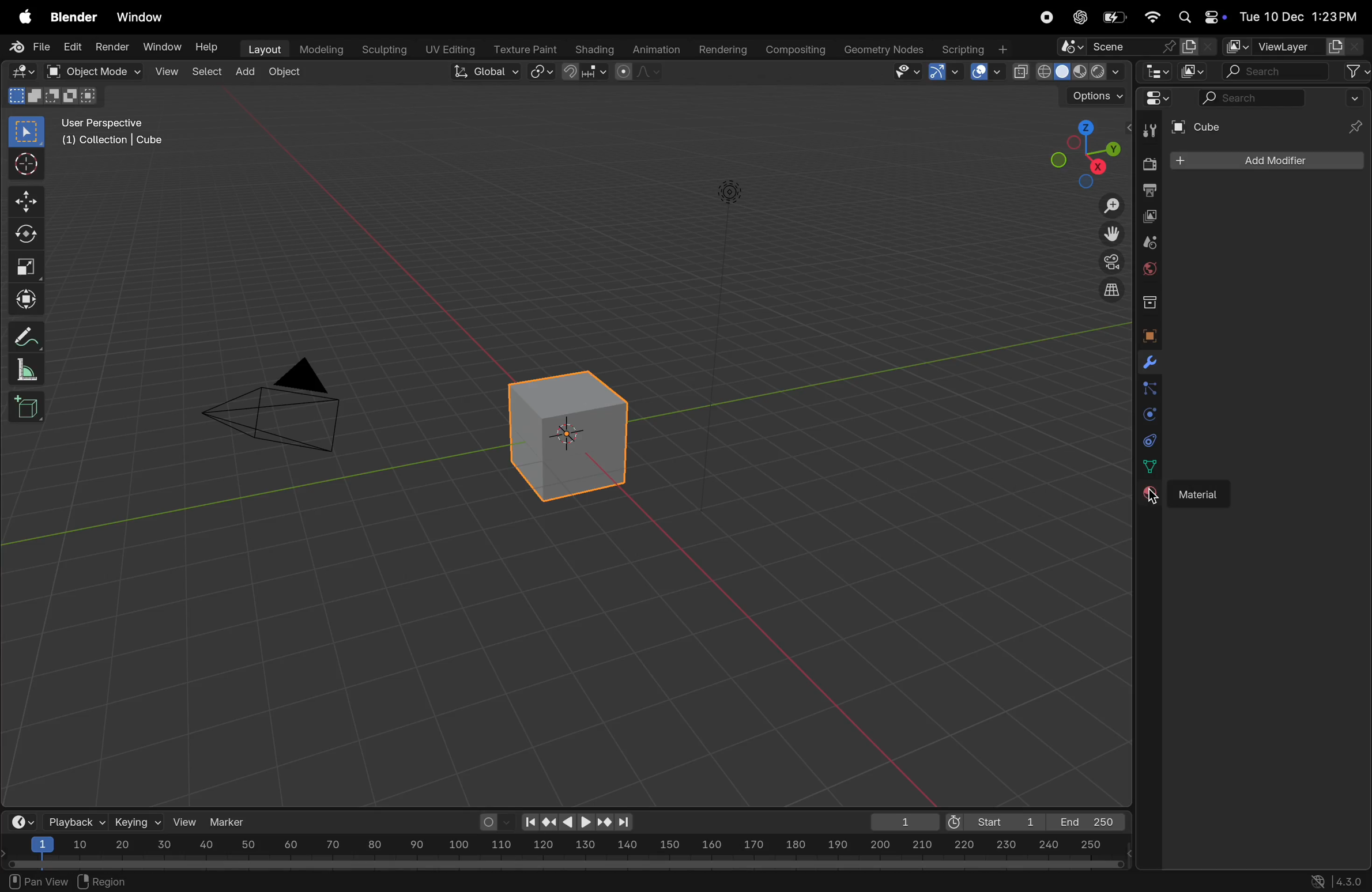 Image resolution: width=1372 pixels, height=892 pixels. I want to click on proportional editing objects, so click(640, 73).